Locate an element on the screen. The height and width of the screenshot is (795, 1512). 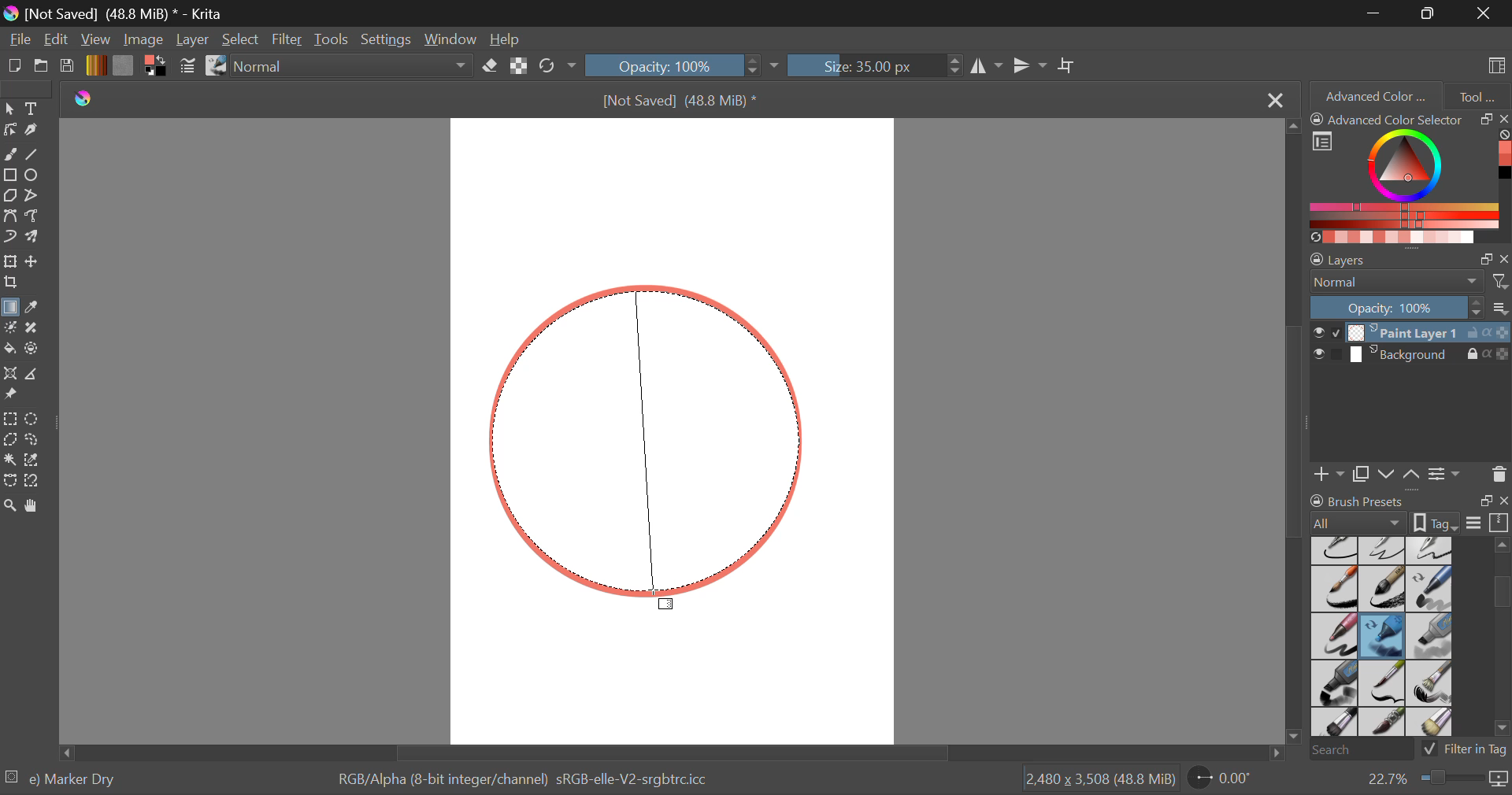
Pan Tool is located at coordinates (35, 505).